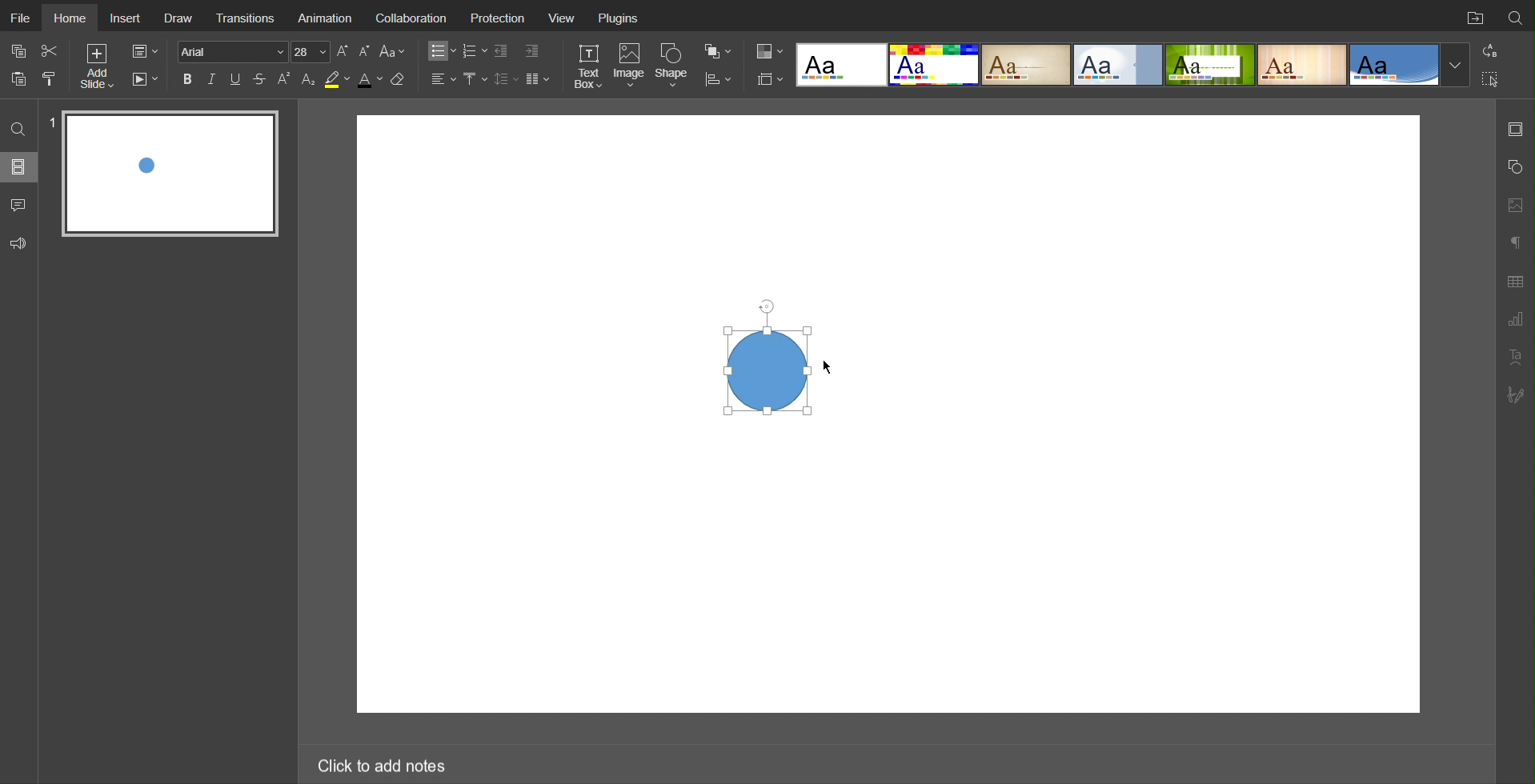  What do you see at coordinates (439, 51) in the screenshot?
I see `Bullet List` at bounding box center [439, 51].